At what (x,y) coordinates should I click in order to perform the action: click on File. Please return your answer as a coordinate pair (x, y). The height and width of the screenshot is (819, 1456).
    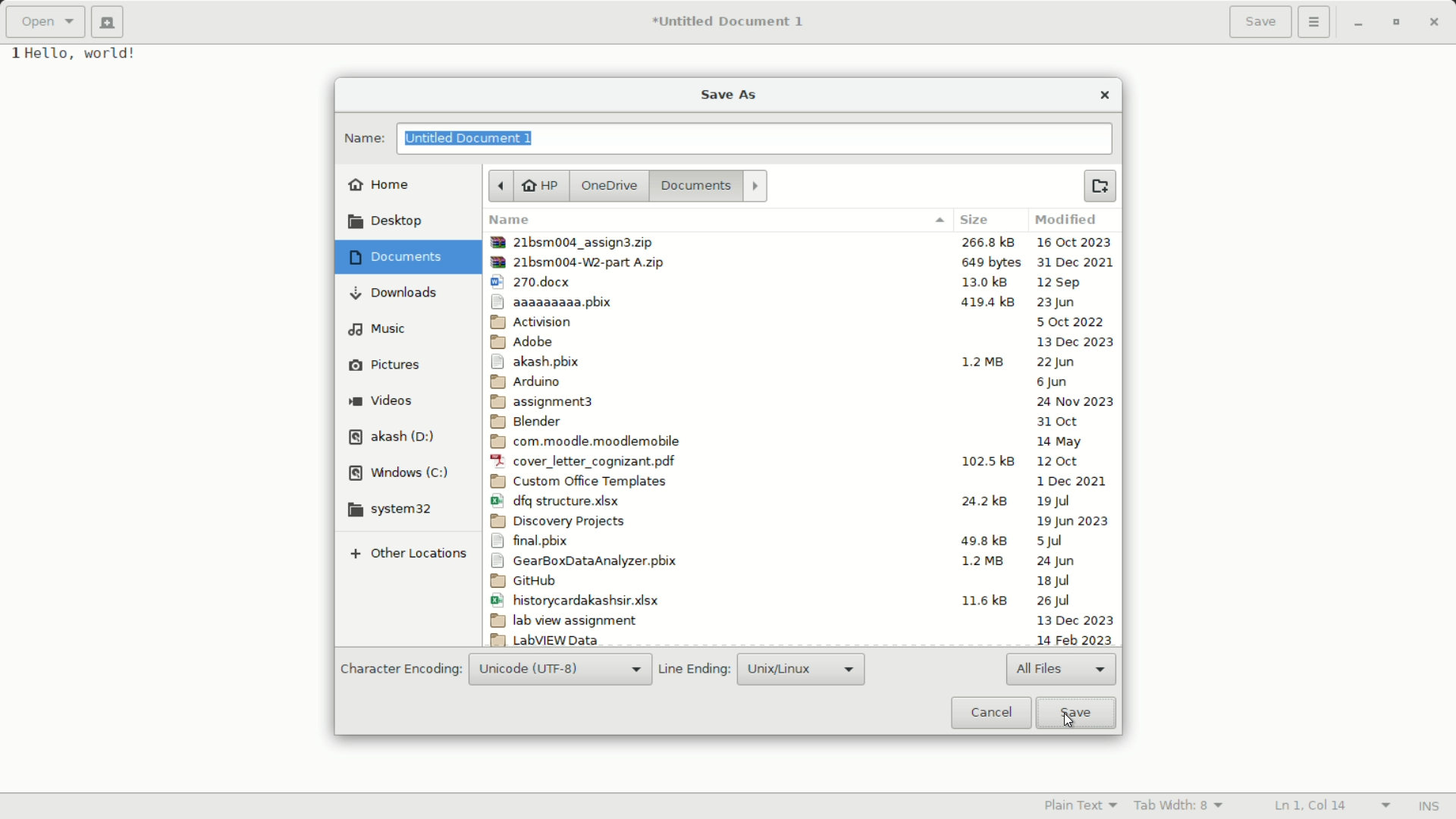
    Looking at the image, I should click on (801, 501).